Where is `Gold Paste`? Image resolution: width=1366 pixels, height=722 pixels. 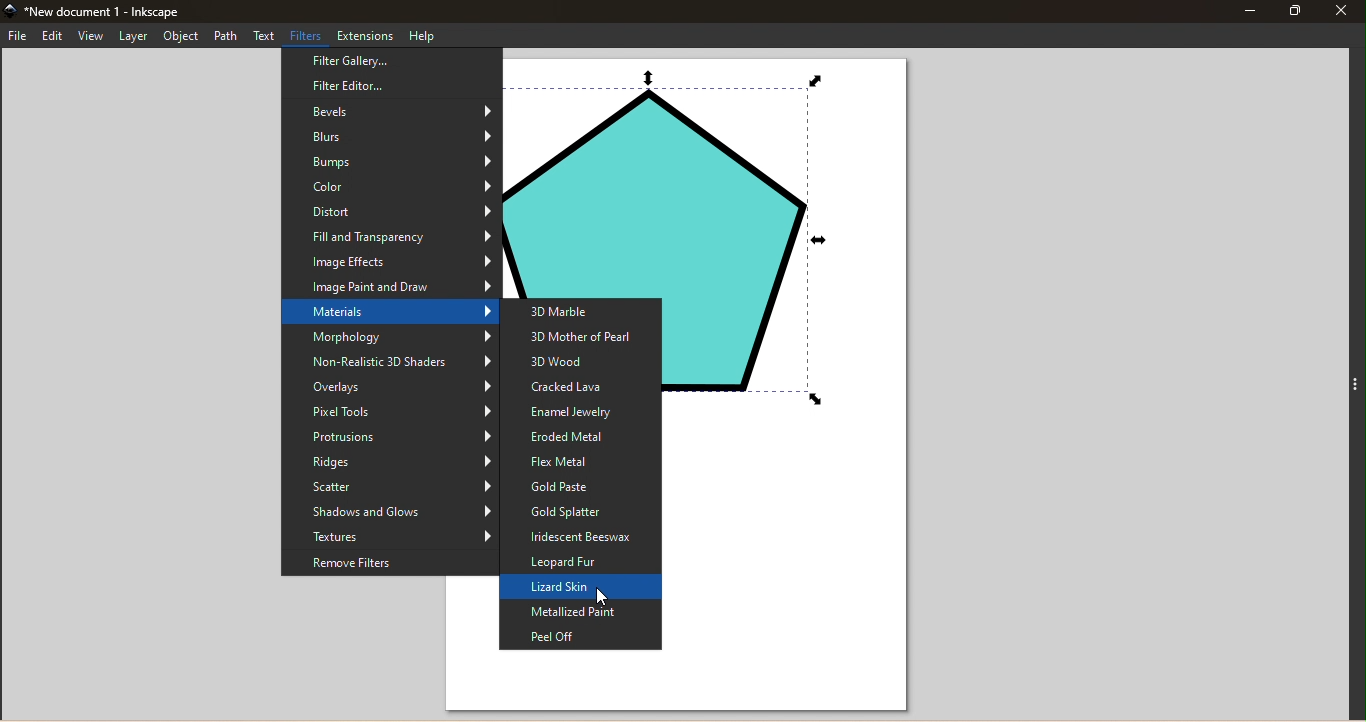 Gold Paste is located at coordinates (580, 487).